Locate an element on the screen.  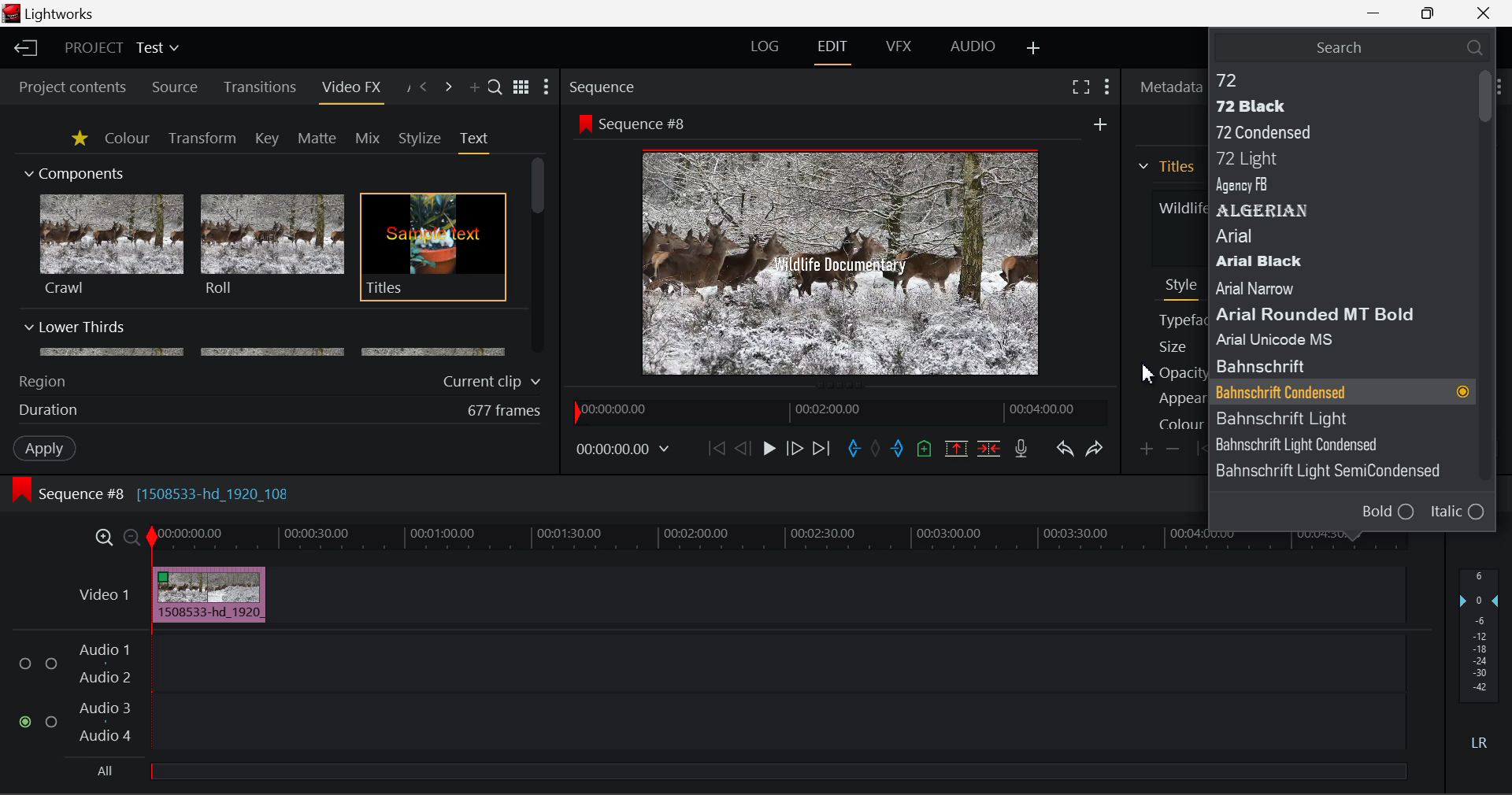
Zoom In Timeline is located at coordinates (104, 542).